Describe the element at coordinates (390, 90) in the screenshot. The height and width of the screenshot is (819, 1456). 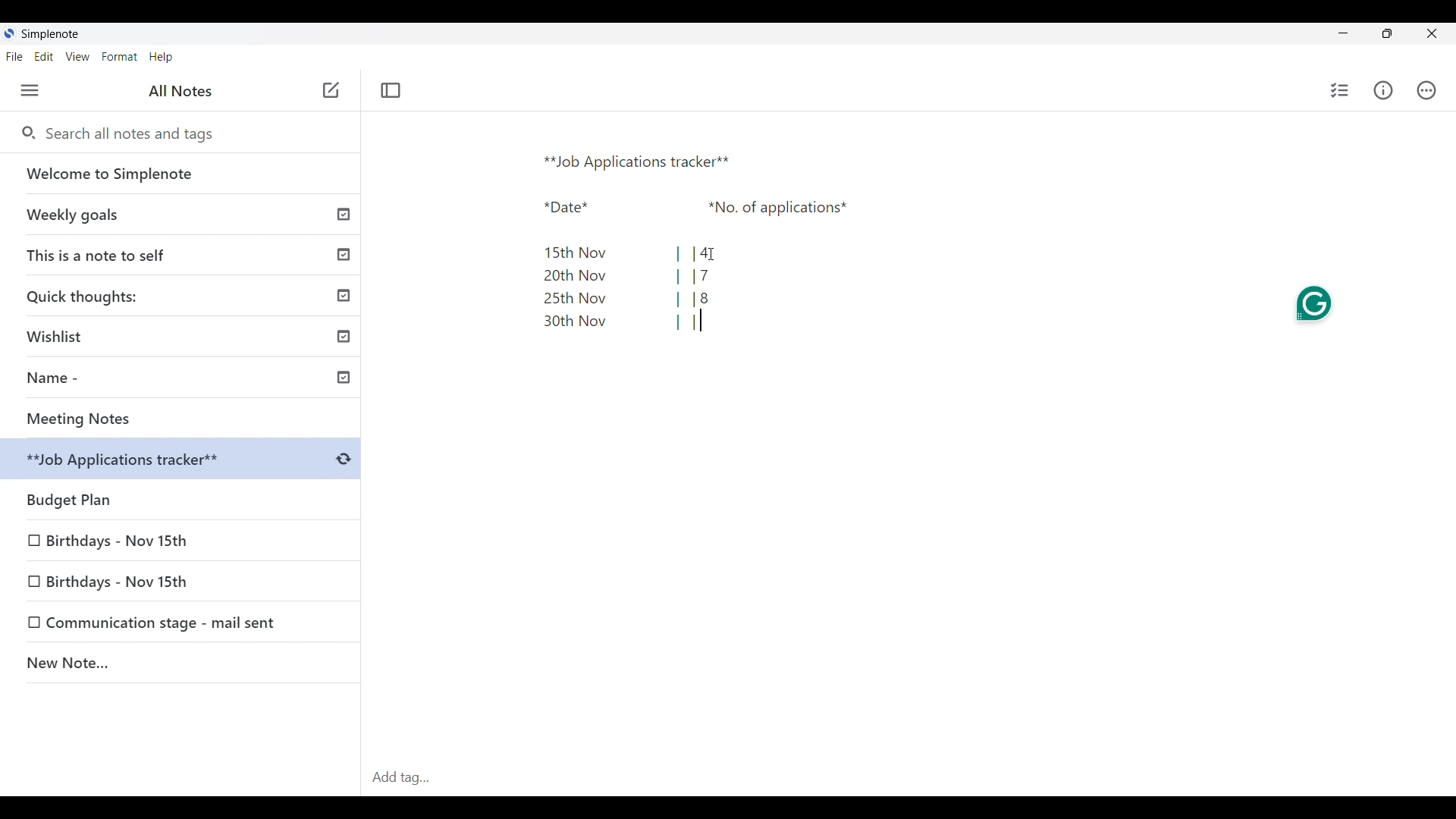
I see `Toggle focus mode` at that location.